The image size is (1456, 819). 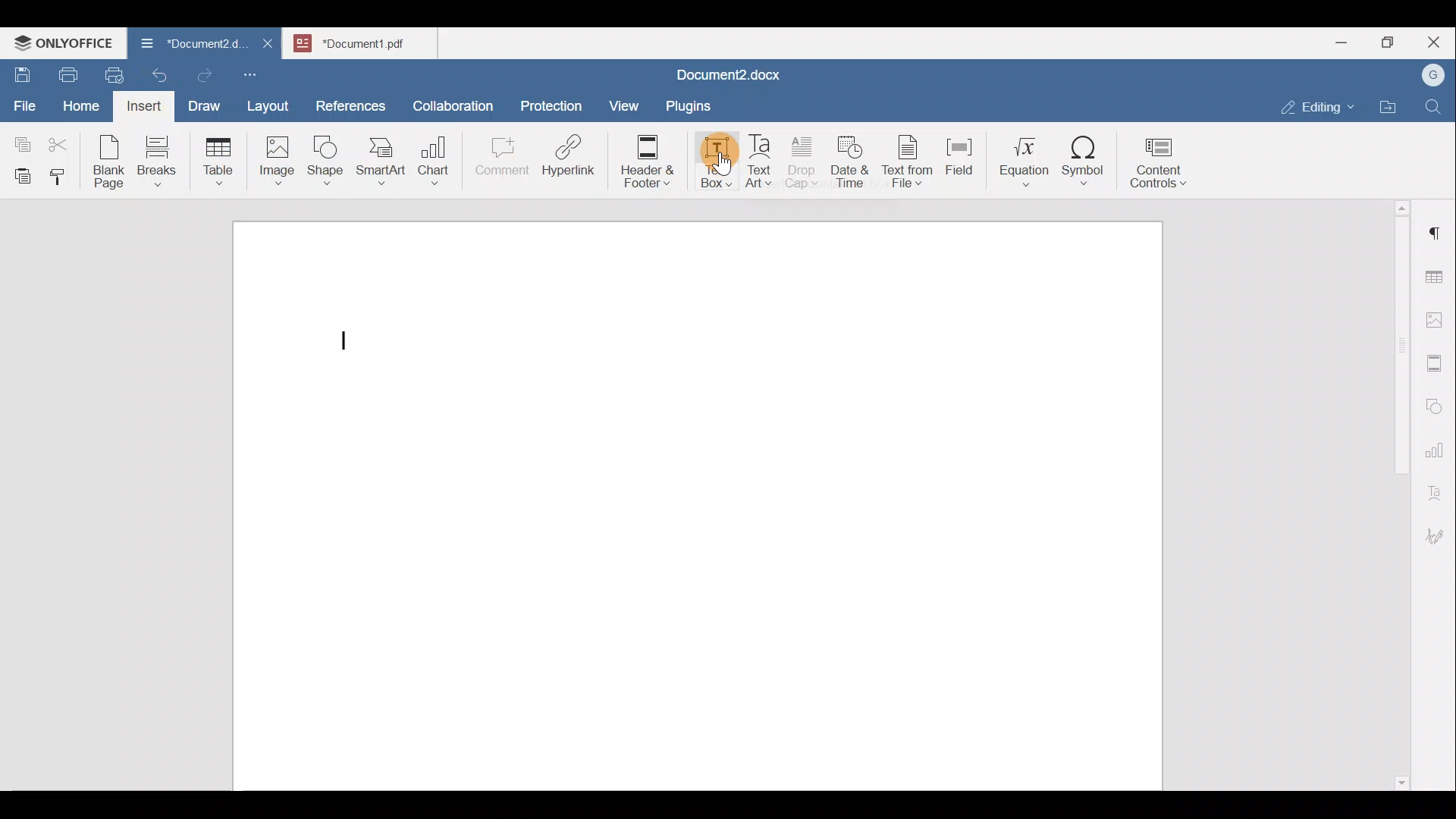 I want to click on ONLYOFFICE, so click(x=64, y=42).